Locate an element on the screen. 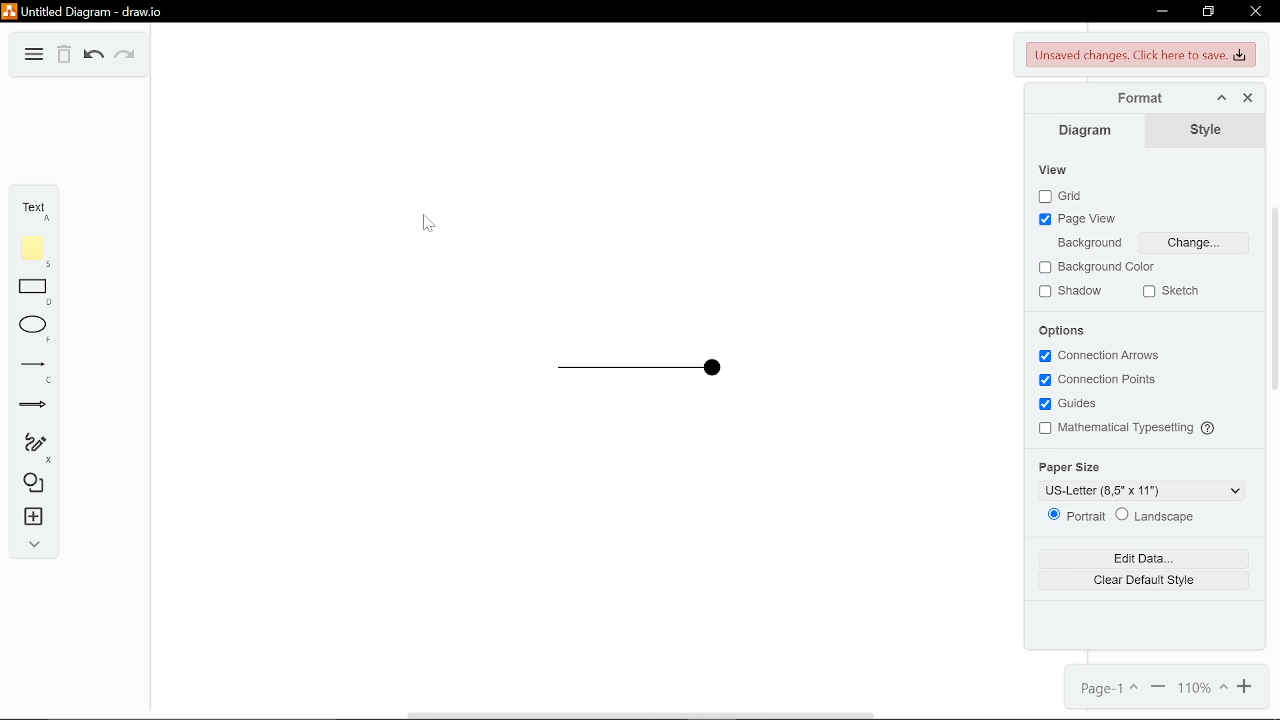 Image resolution: width=1280 pixels, height=720 pixels. Portrait is located at coordinates (1077, 515).